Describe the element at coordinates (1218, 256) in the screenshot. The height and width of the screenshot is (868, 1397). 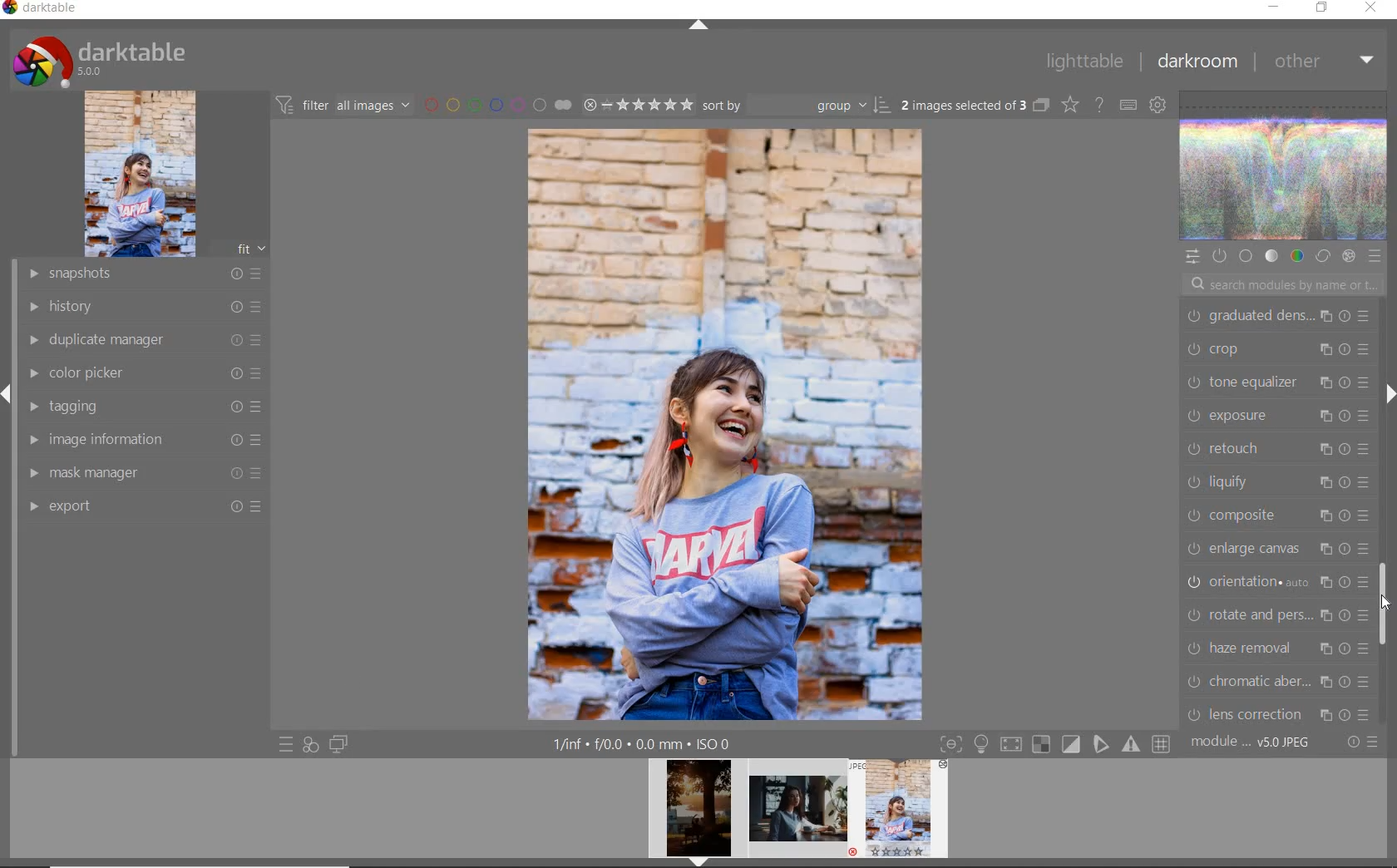
I see `show only active module` at that location.